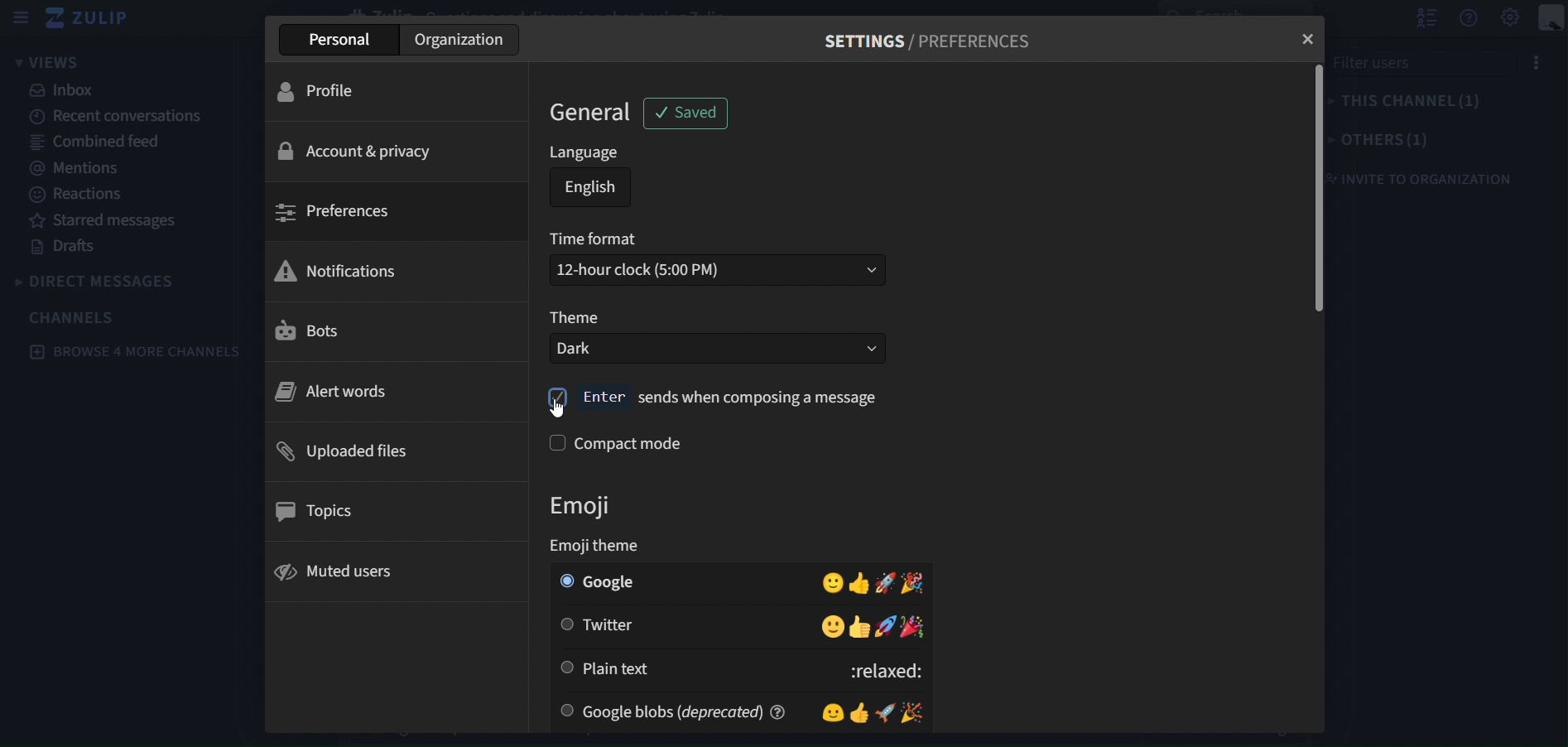 This screenshot has height=747, width=1568. Describe the element at coordinates (595, 544) in the screenshot. I see `Emoji theme` at that location.